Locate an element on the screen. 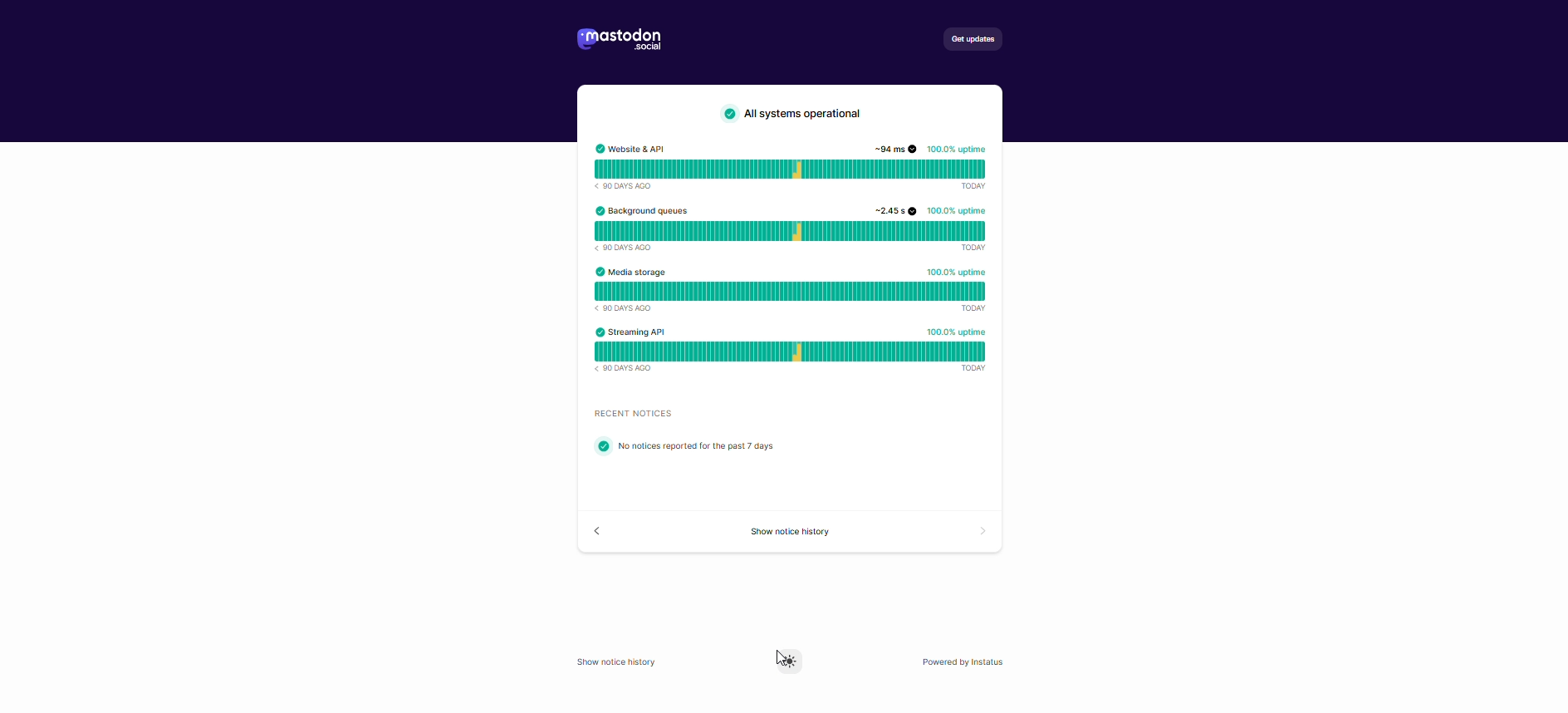 Image resolution: width=1568 pixels, height=713 pixels. show service history is located at coordinates (792, 534).